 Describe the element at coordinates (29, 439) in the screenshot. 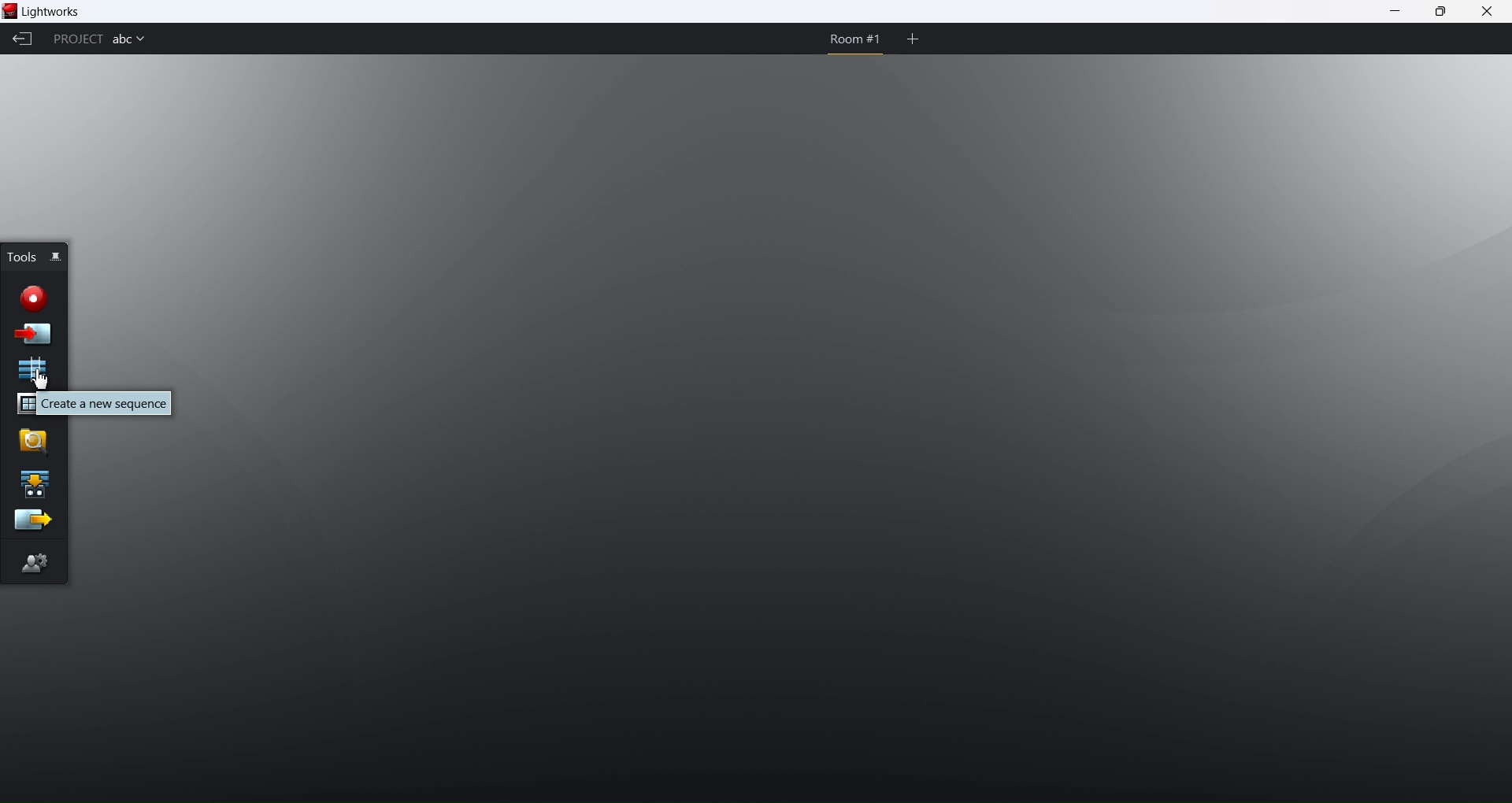

I see `search for clips and sequence` at that location.